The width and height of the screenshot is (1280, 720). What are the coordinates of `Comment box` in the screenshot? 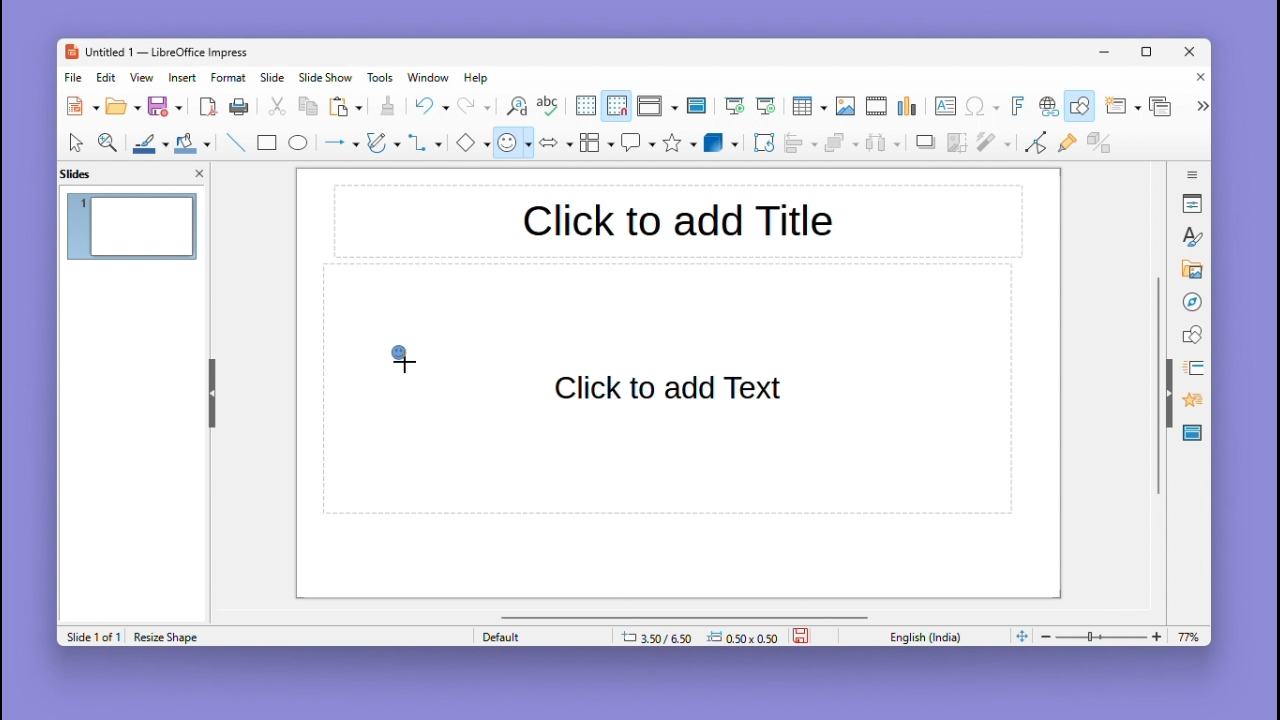 It's located at (638, 142).